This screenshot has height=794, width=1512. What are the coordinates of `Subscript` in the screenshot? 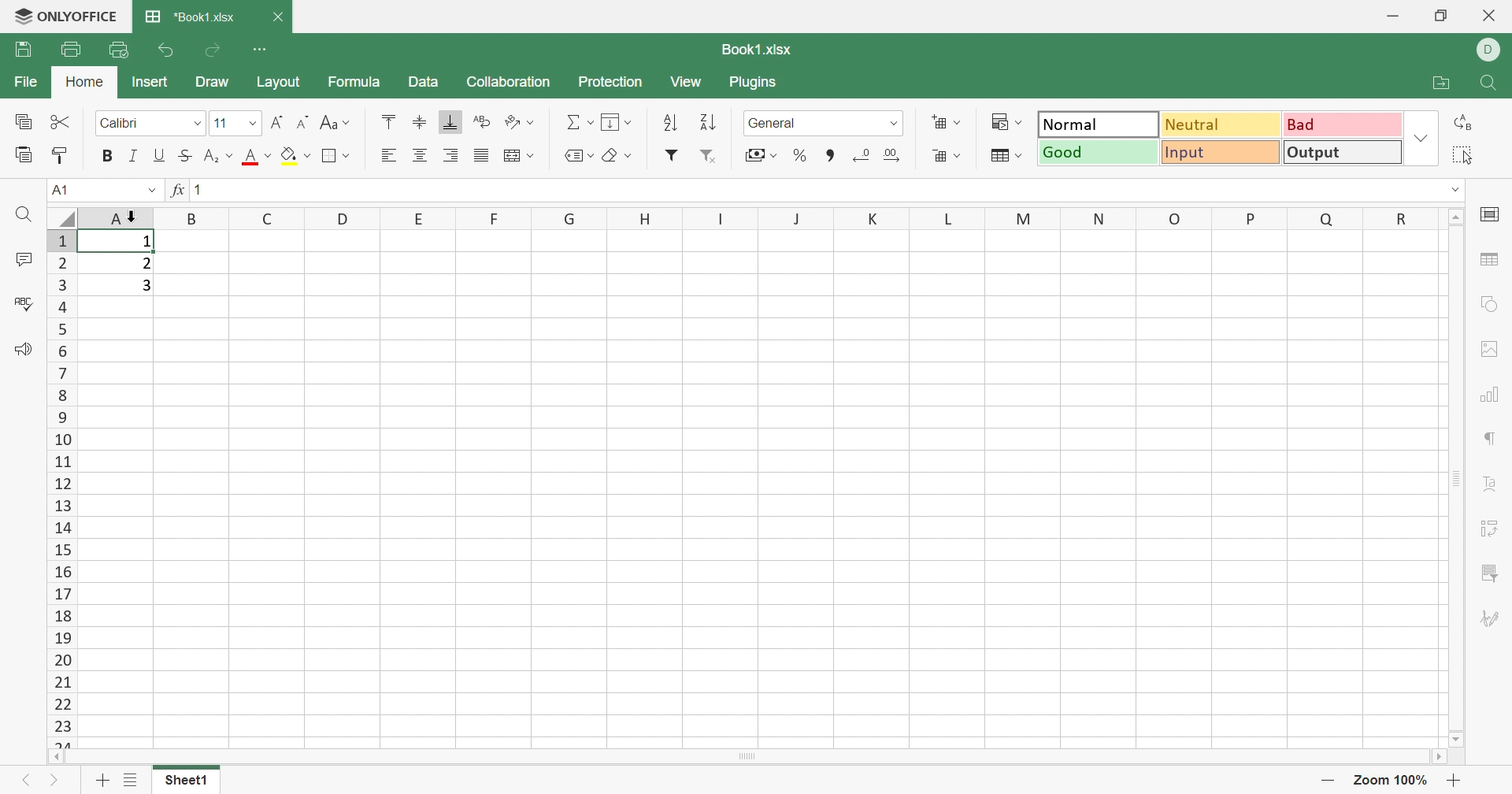 It's located at (218, 156).